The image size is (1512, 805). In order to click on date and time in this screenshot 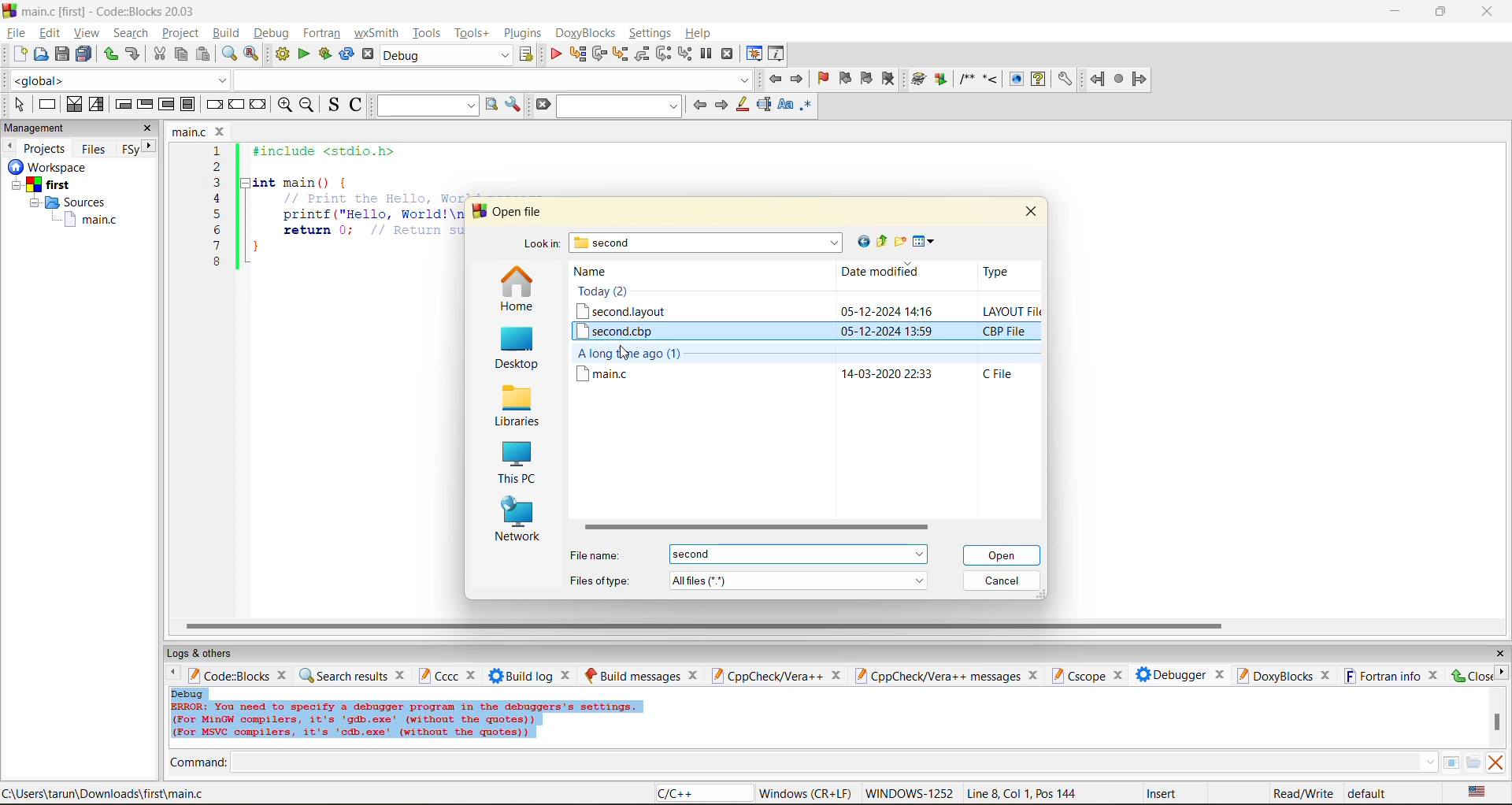, I will do `click(886, 332)`.